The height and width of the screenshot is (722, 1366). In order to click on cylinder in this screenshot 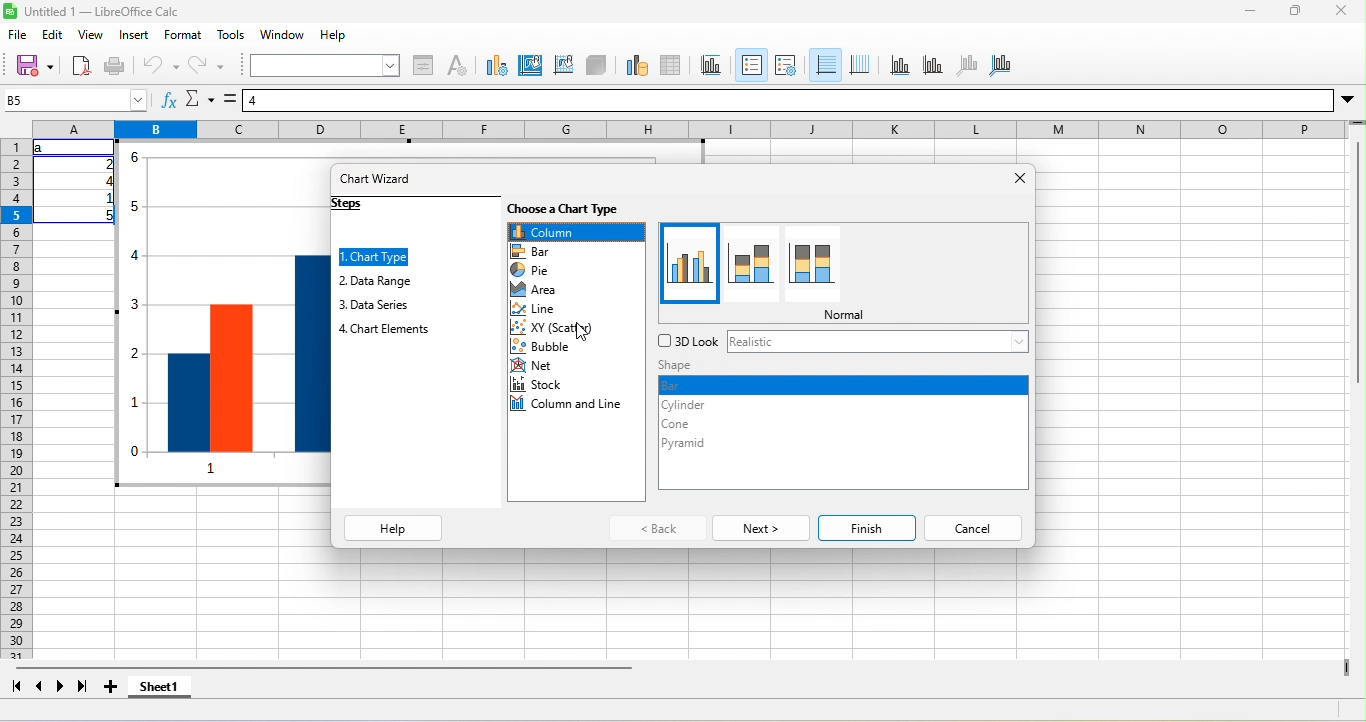, I will do `click(685, 405)`.